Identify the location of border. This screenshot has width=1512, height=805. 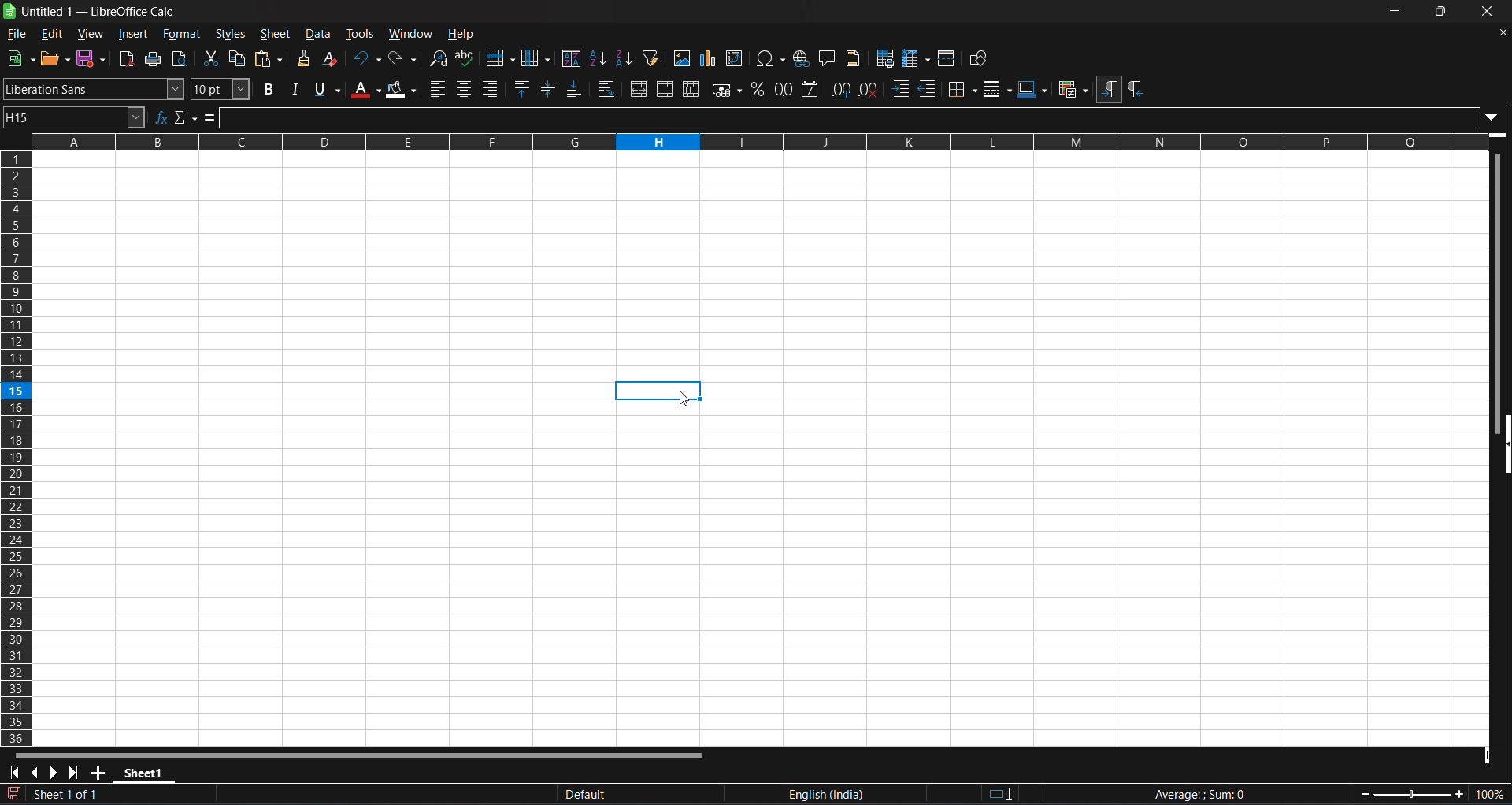
(961, 88).